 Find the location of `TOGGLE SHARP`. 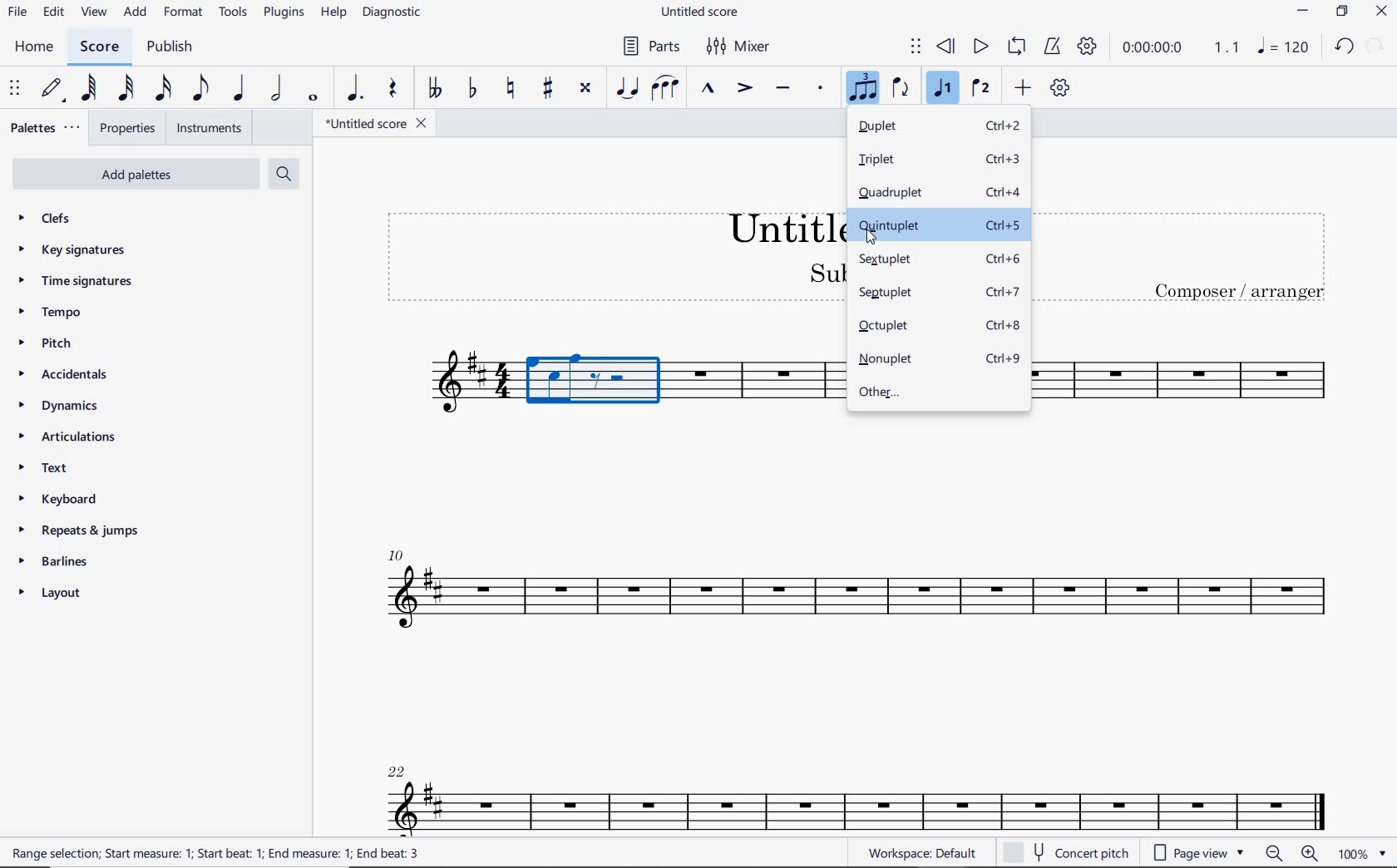

TOGGLE SHARP is located at coordinates (545, 89).